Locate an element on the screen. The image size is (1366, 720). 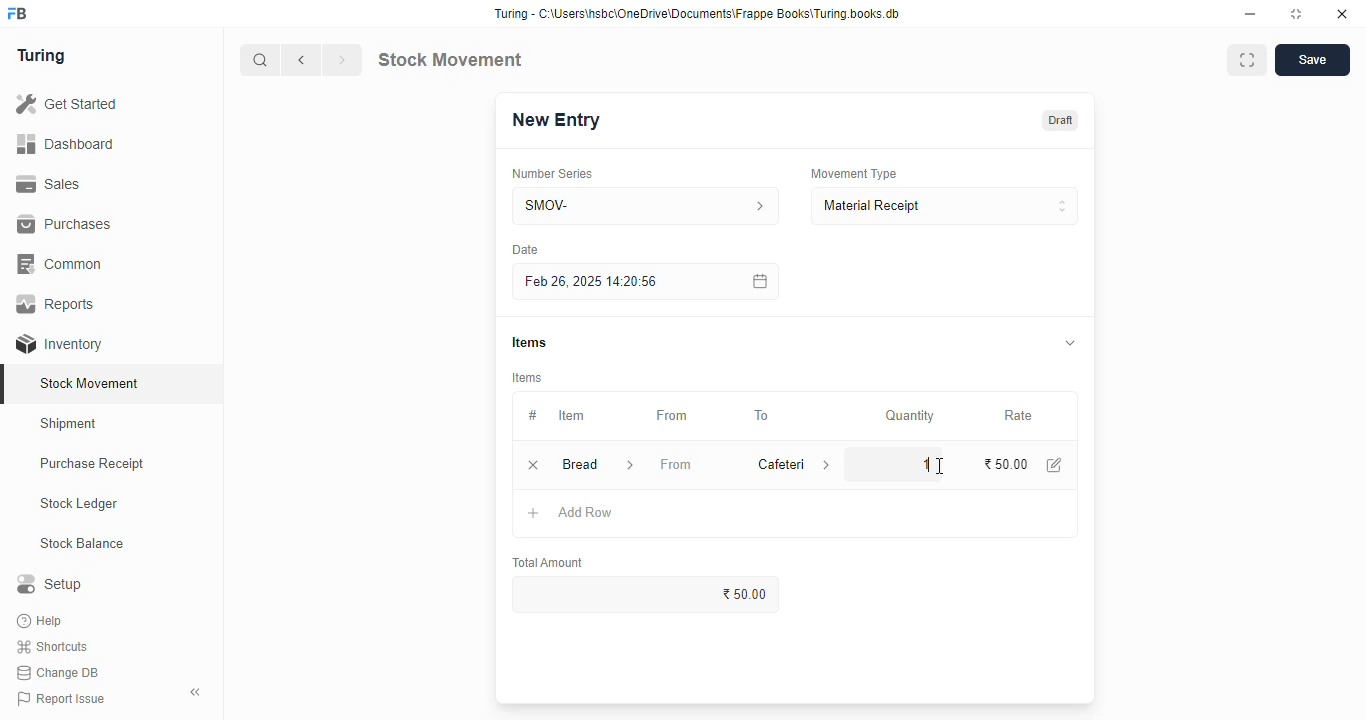
quantity is located at coordinates (910, 416).